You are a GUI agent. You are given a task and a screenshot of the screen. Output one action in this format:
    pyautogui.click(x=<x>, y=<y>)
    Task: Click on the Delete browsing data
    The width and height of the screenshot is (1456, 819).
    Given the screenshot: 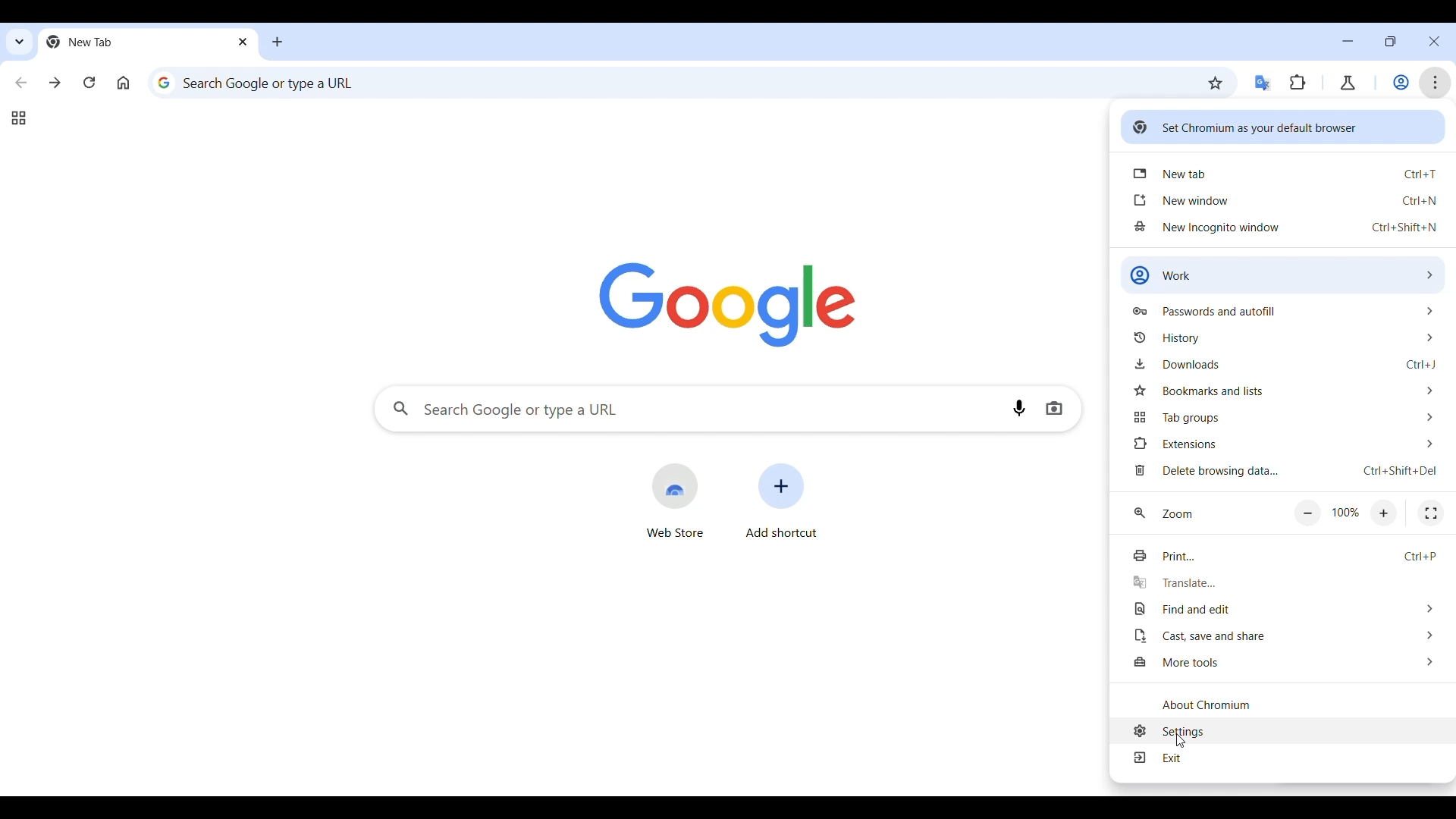 What is the action you would take?
    pyautogui.click(x=1285, y=470)
    